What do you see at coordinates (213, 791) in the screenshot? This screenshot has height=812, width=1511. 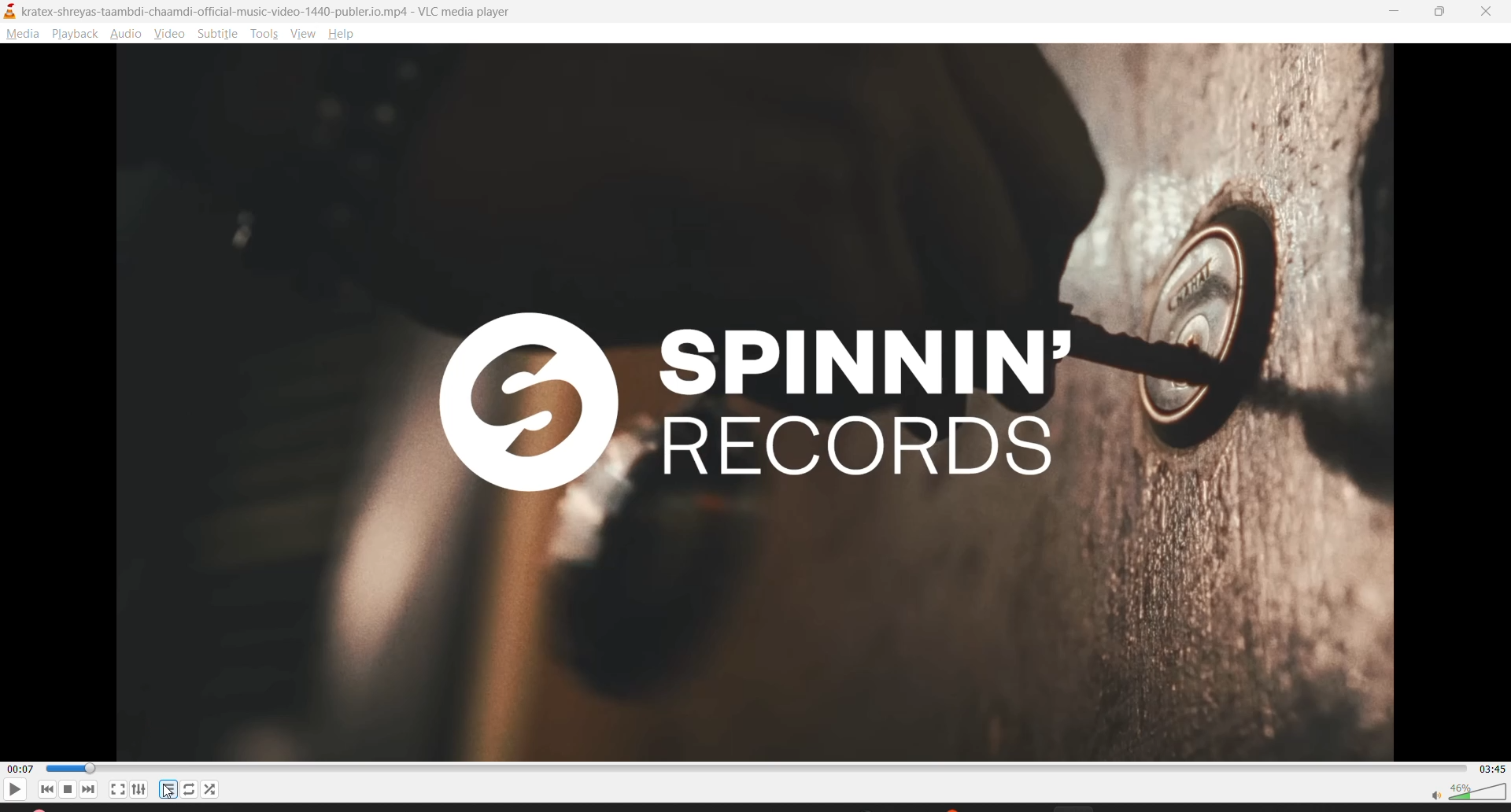 I see `random` at bounding box center [213, 791].